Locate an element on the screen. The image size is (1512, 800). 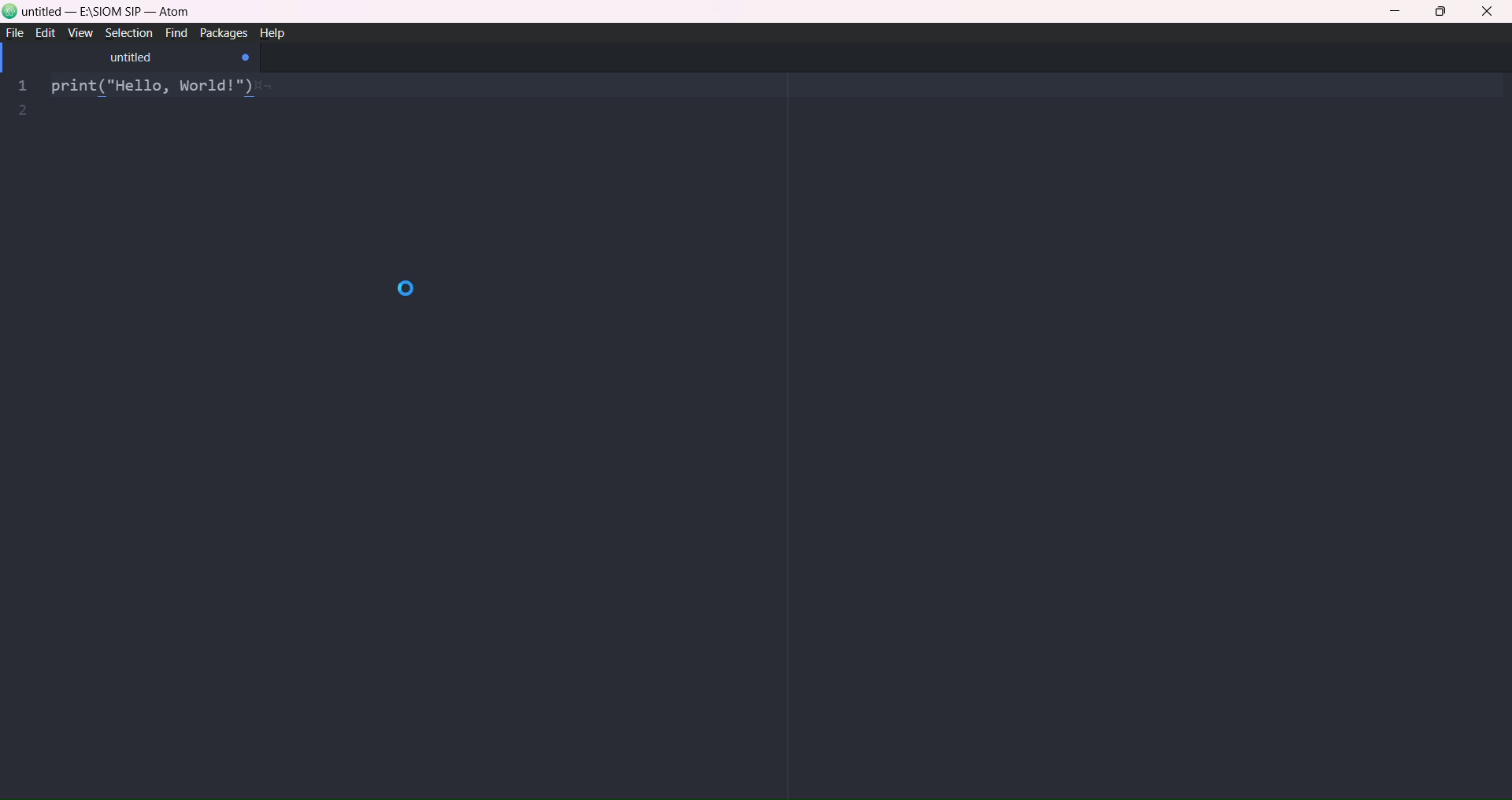
close is located at coordinates (1488, 12).